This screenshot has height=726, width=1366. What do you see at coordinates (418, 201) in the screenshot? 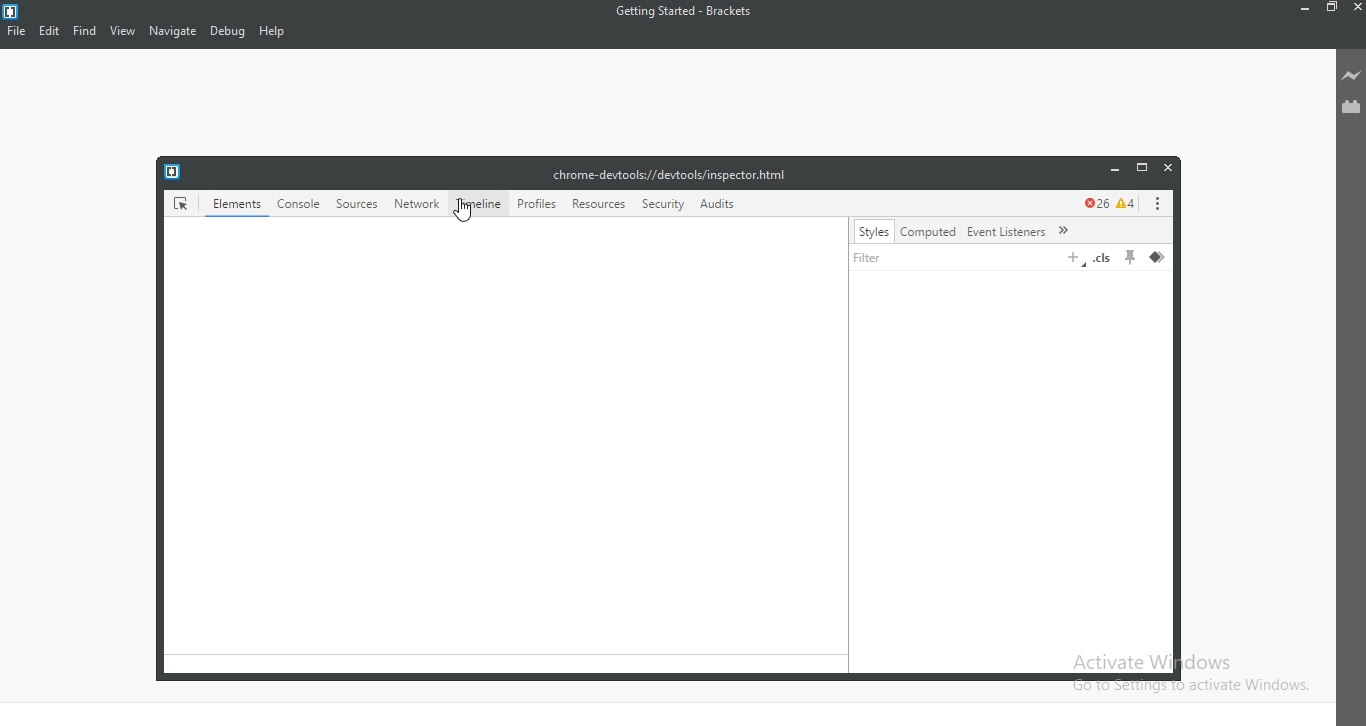
I see `network` at bounding box center [418, 201].